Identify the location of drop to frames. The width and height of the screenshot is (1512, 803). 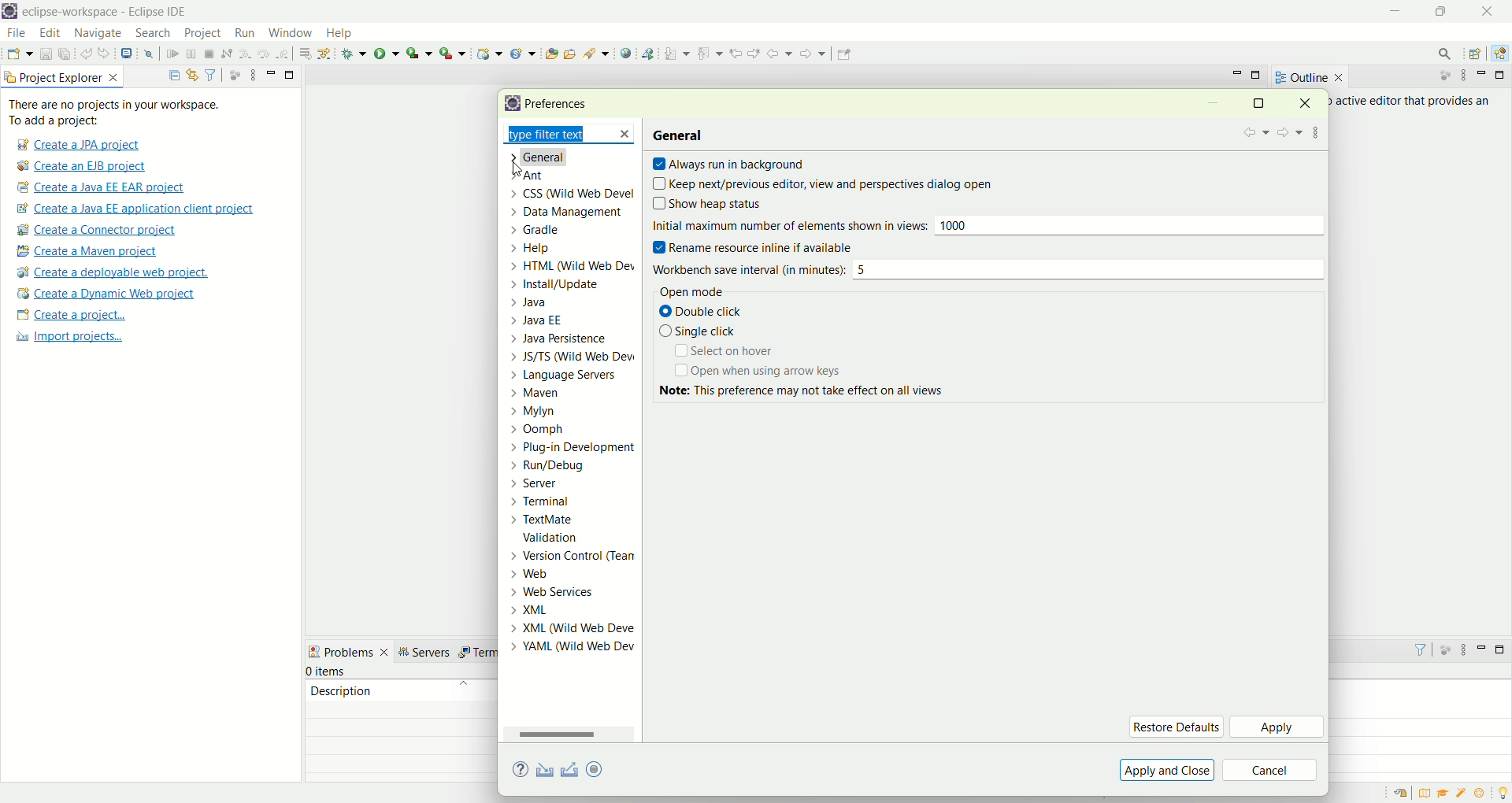
(306, 54).